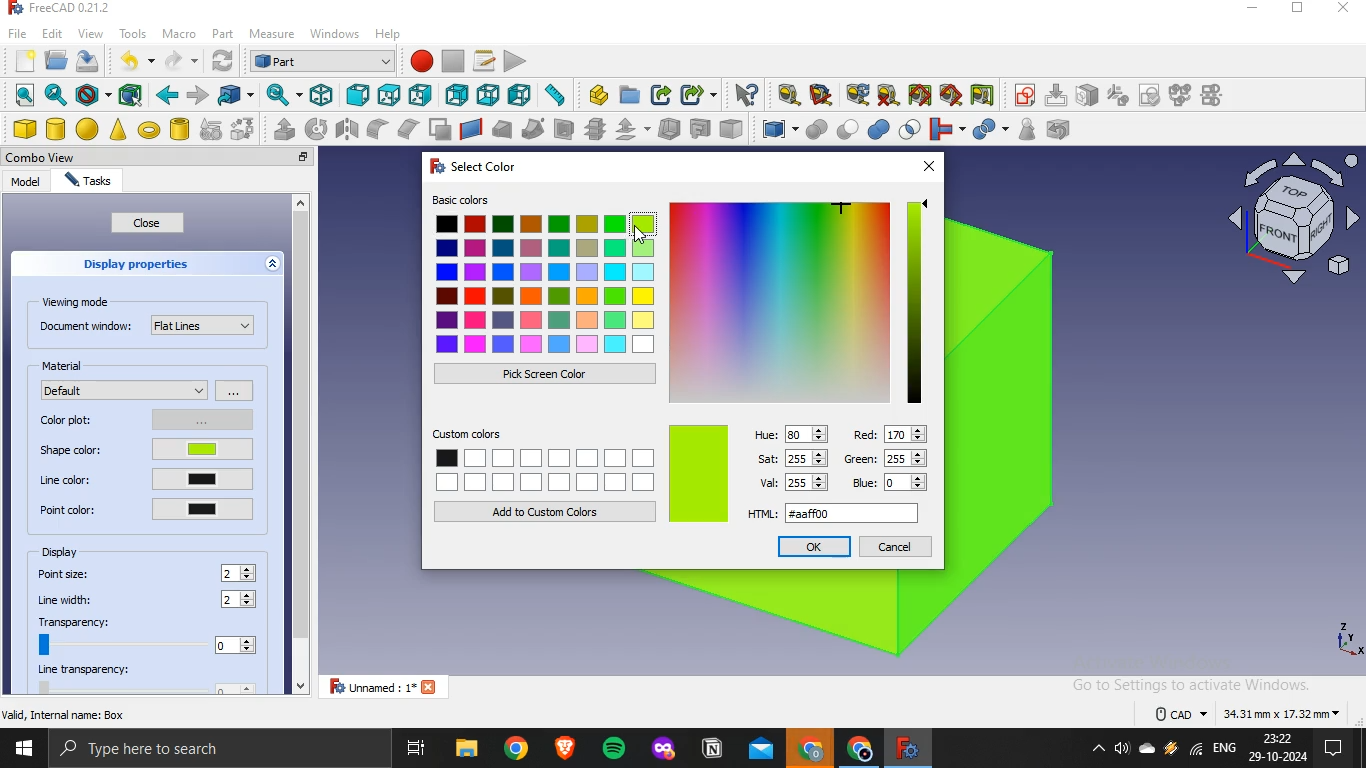 Image resolution: width=1366 pixels, height=768 pixels. I want to click on model, so click(25, 181).